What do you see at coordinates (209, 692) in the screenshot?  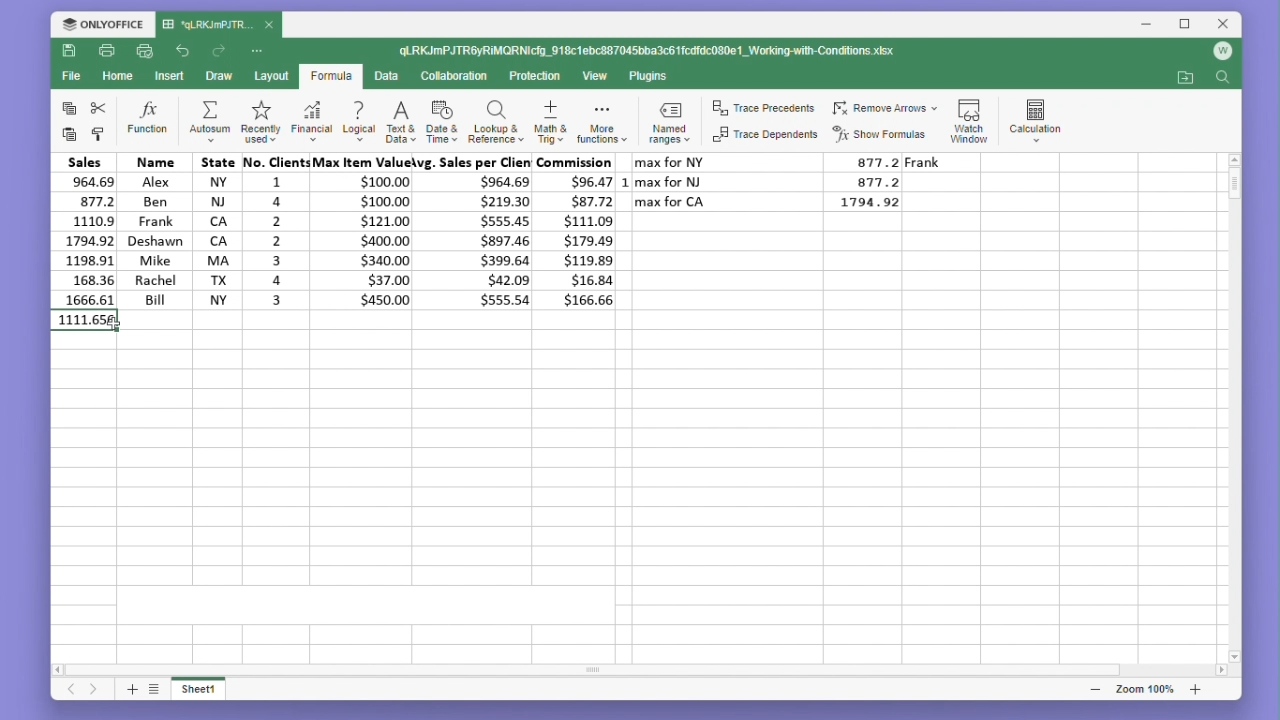 I see `Sheet 1` at bounding box center [209, 692].